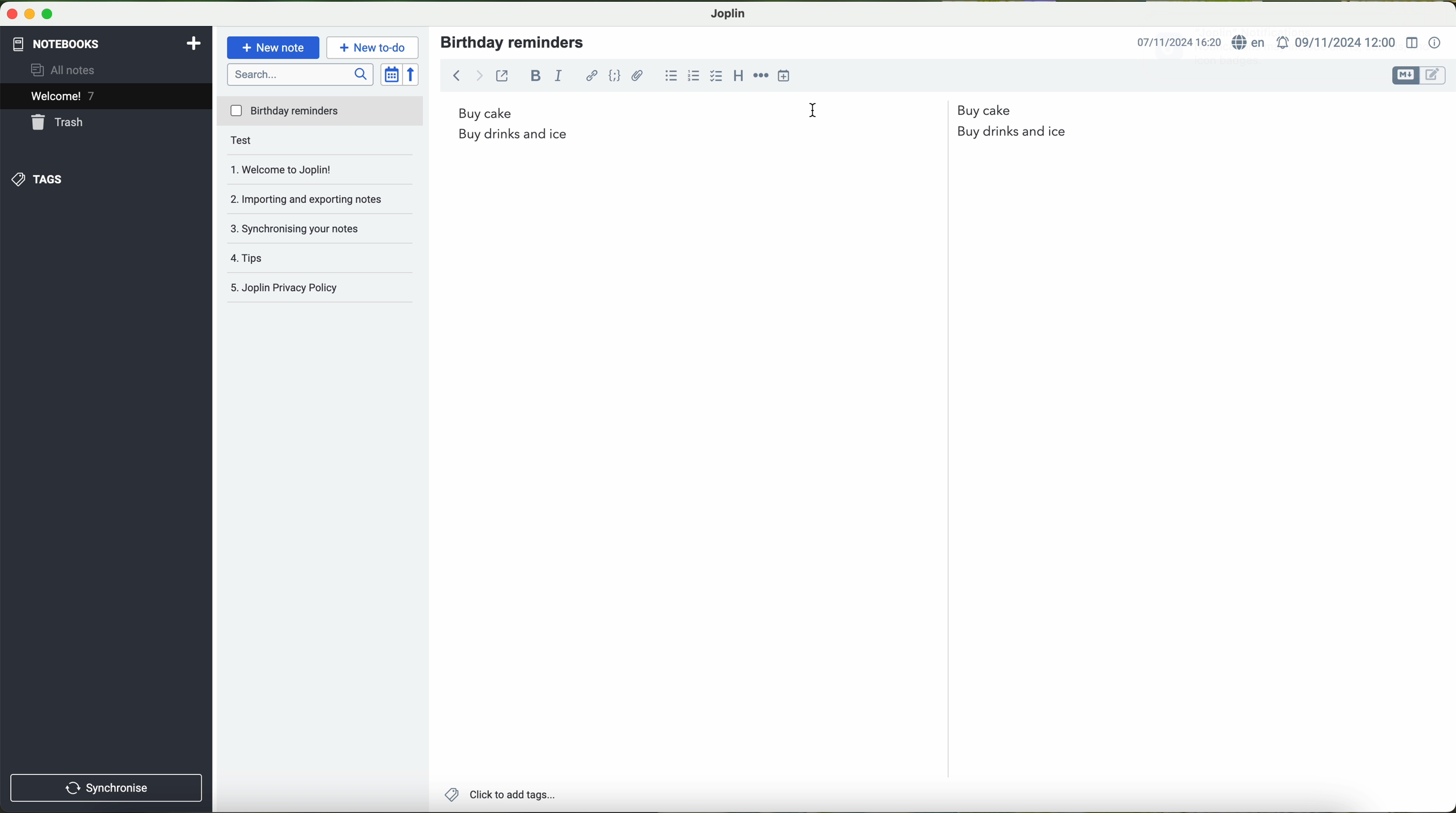  What do you see at coordinates (466, 74) in the screenshot?
I see `back arrow` at bounding box center [466, 74].